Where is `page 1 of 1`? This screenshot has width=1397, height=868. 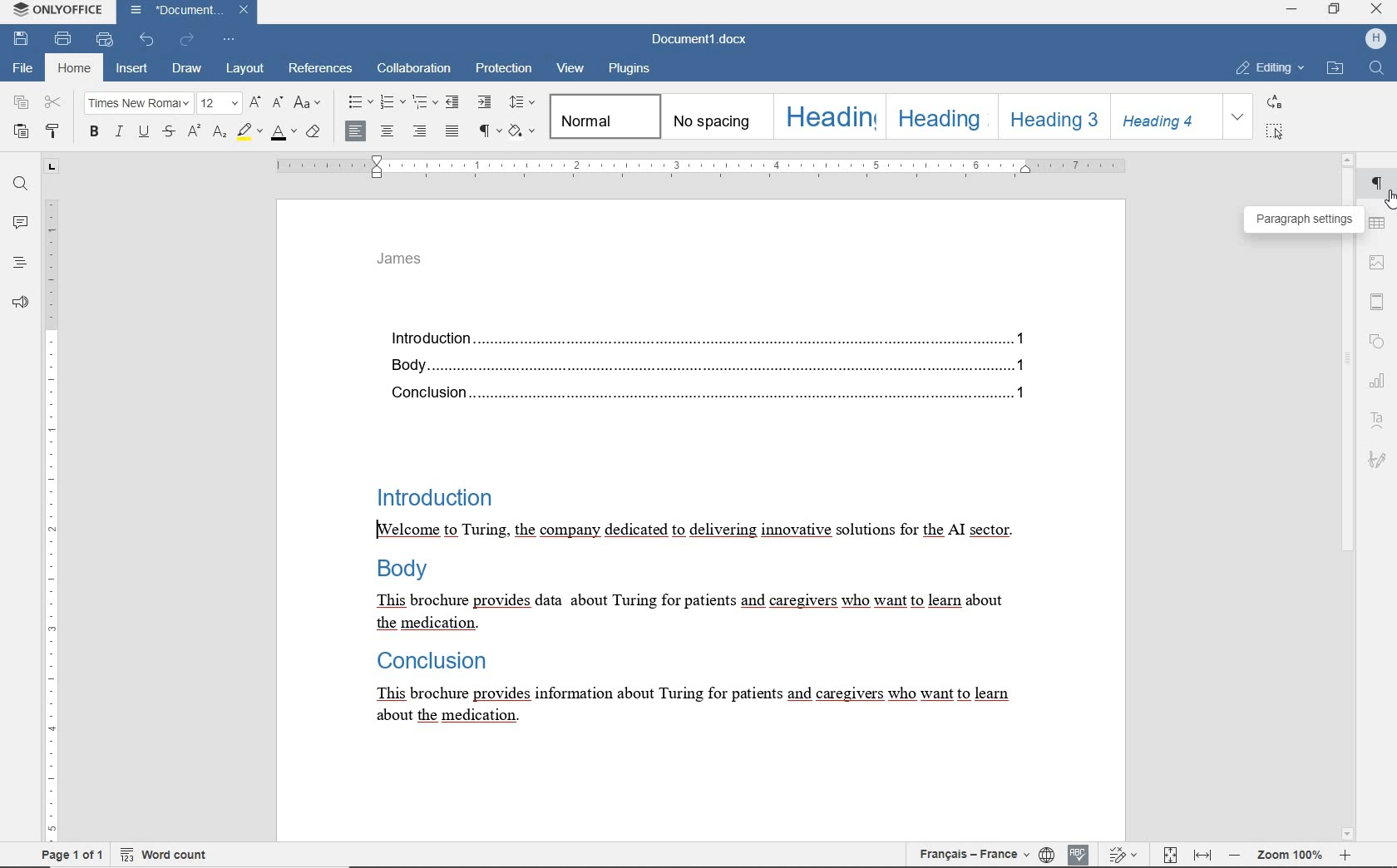
page 1 of 1 is located at coordinates (71, 857).